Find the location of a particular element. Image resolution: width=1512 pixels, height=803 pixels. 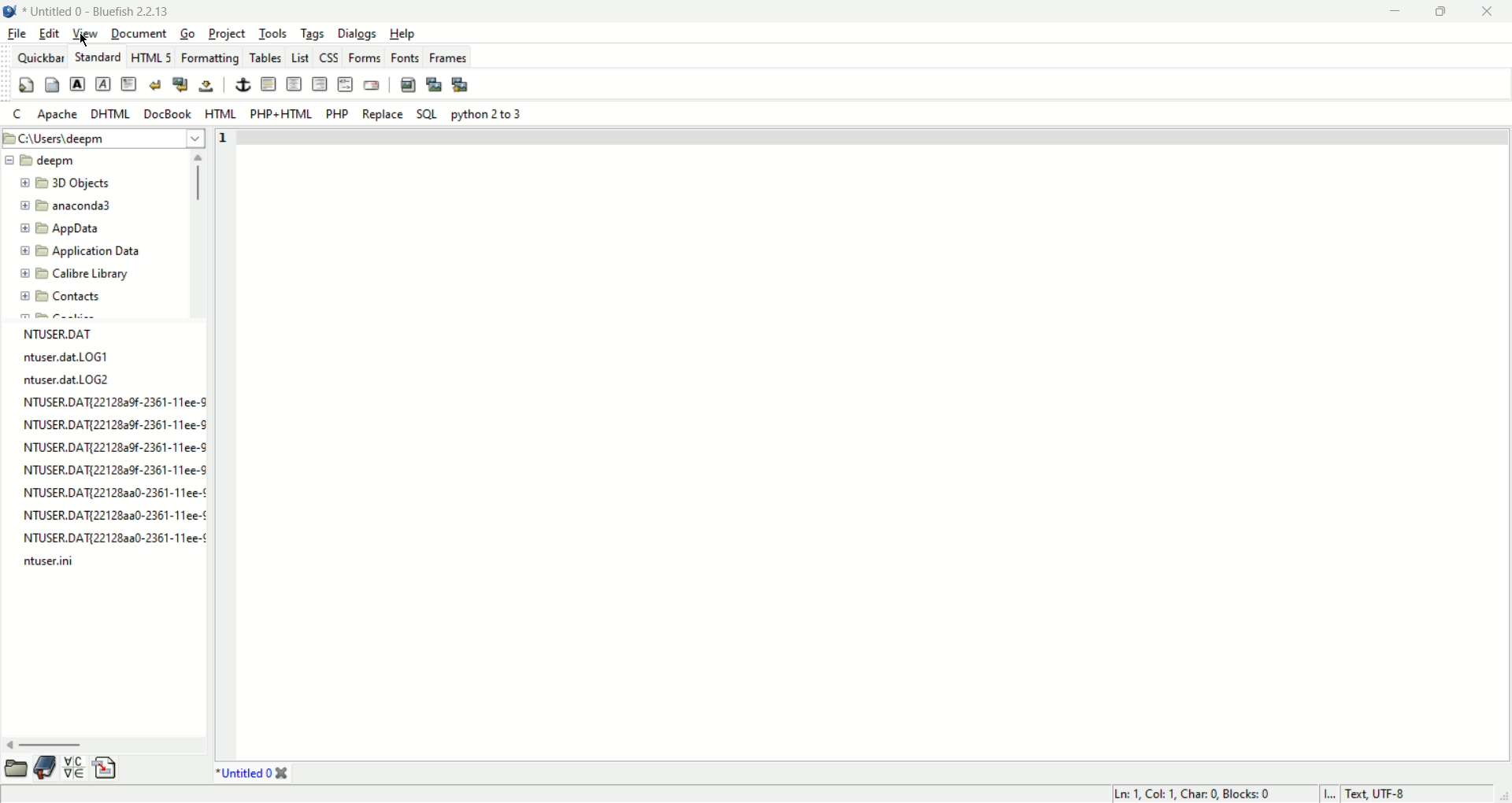

PHP+HTML is located at coordinates (281, 114).